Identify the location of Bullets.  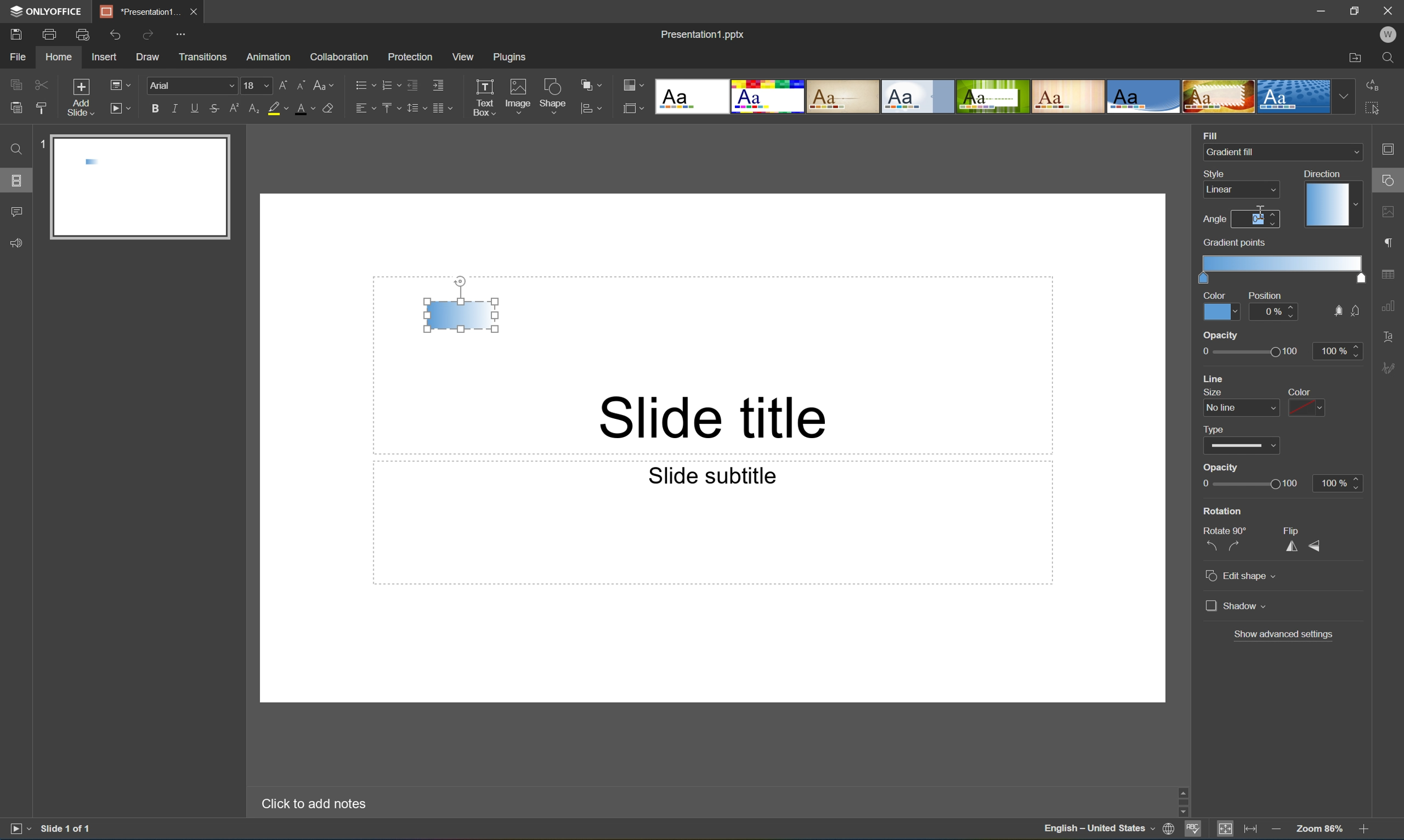
(362, 83).